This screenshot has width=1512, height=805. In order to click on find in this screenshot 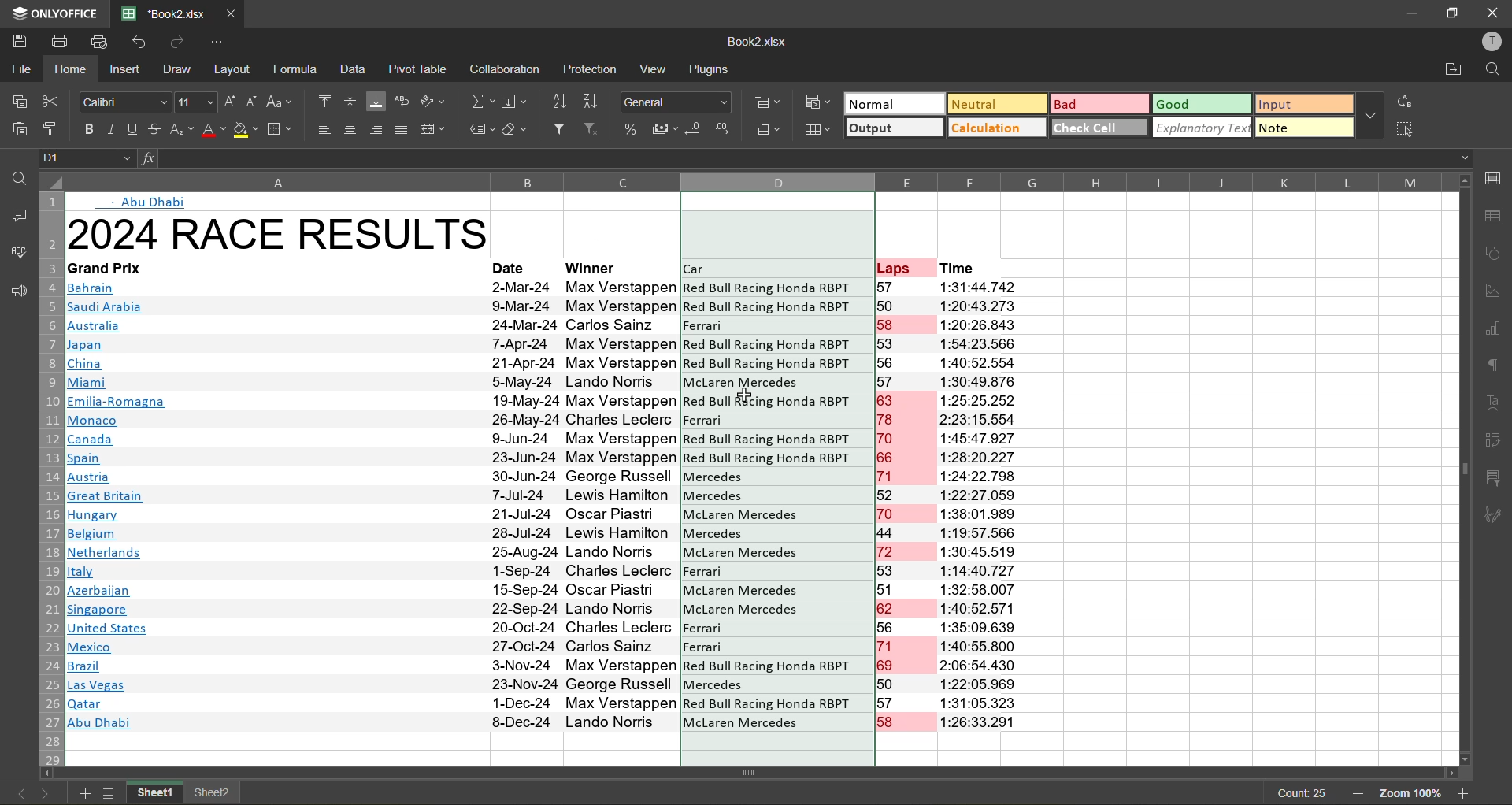, I will do `click(1494, 69)`.